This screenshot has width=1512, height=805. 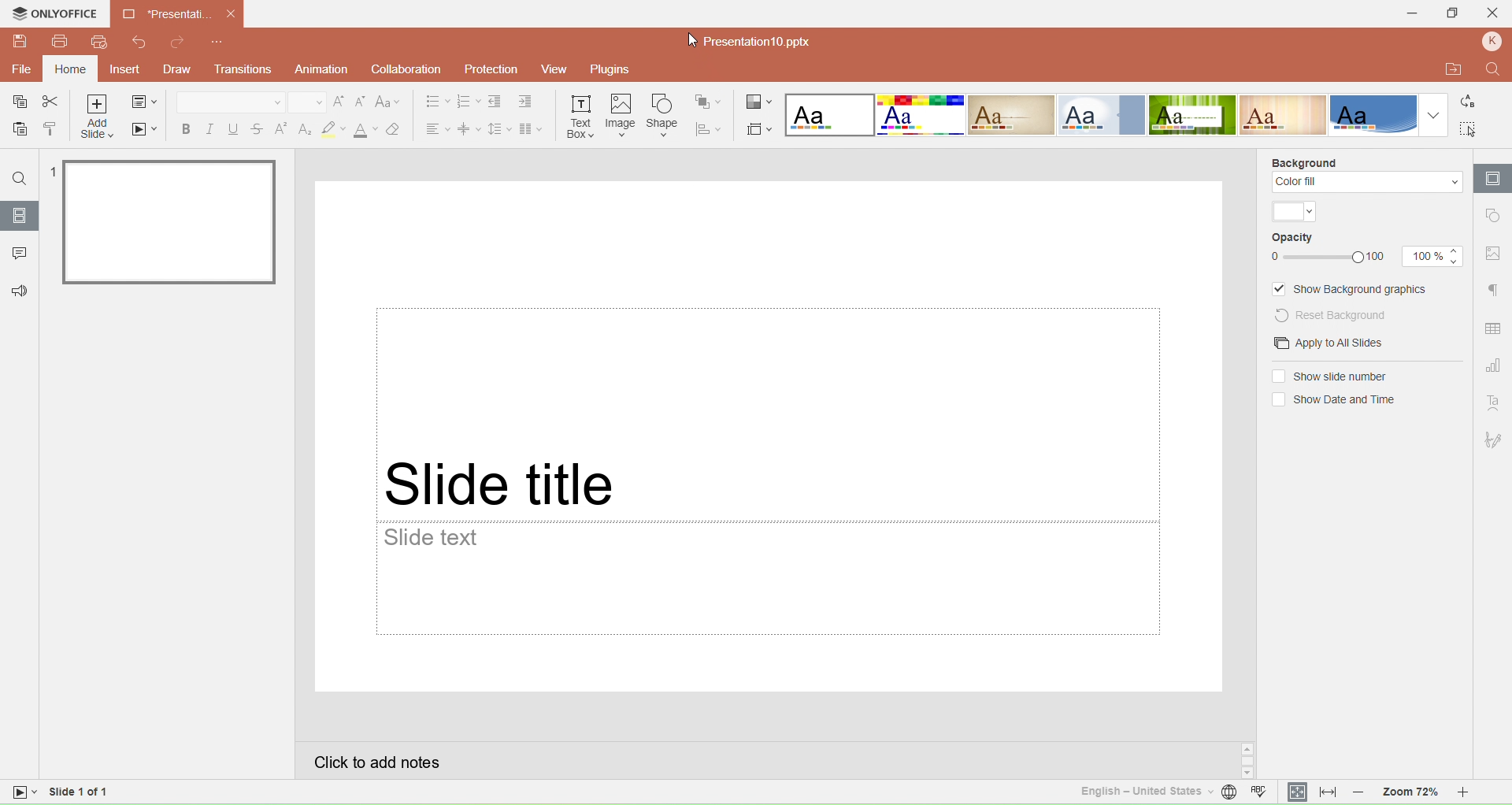 What do you see at coordinates (16, 103) in the screenshot?
I see `Save` at bounding box center [16, 103].